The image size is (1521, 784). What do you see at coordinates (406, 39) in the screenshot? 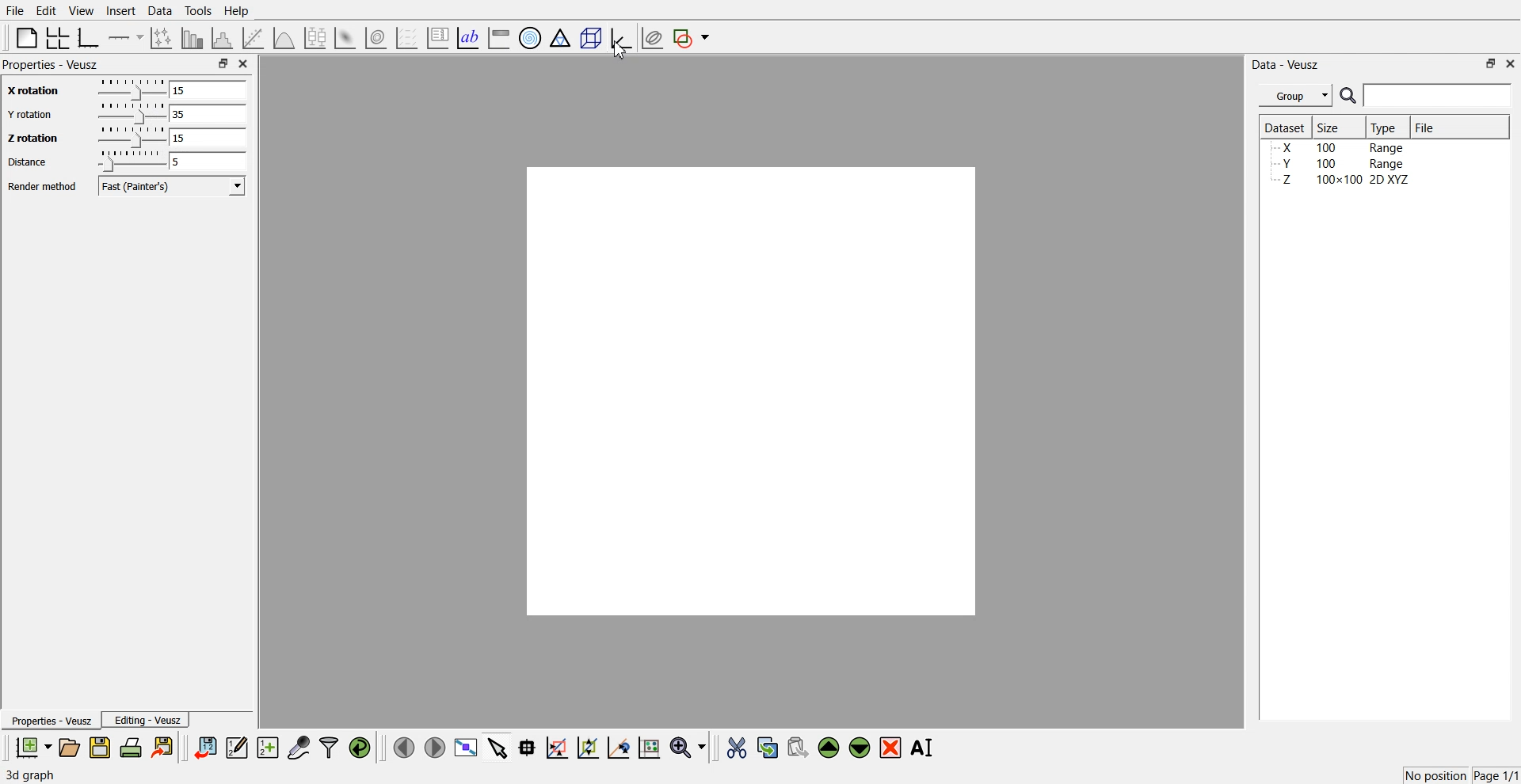
I see `Plot a vector field` at bounding box center [406, 39].